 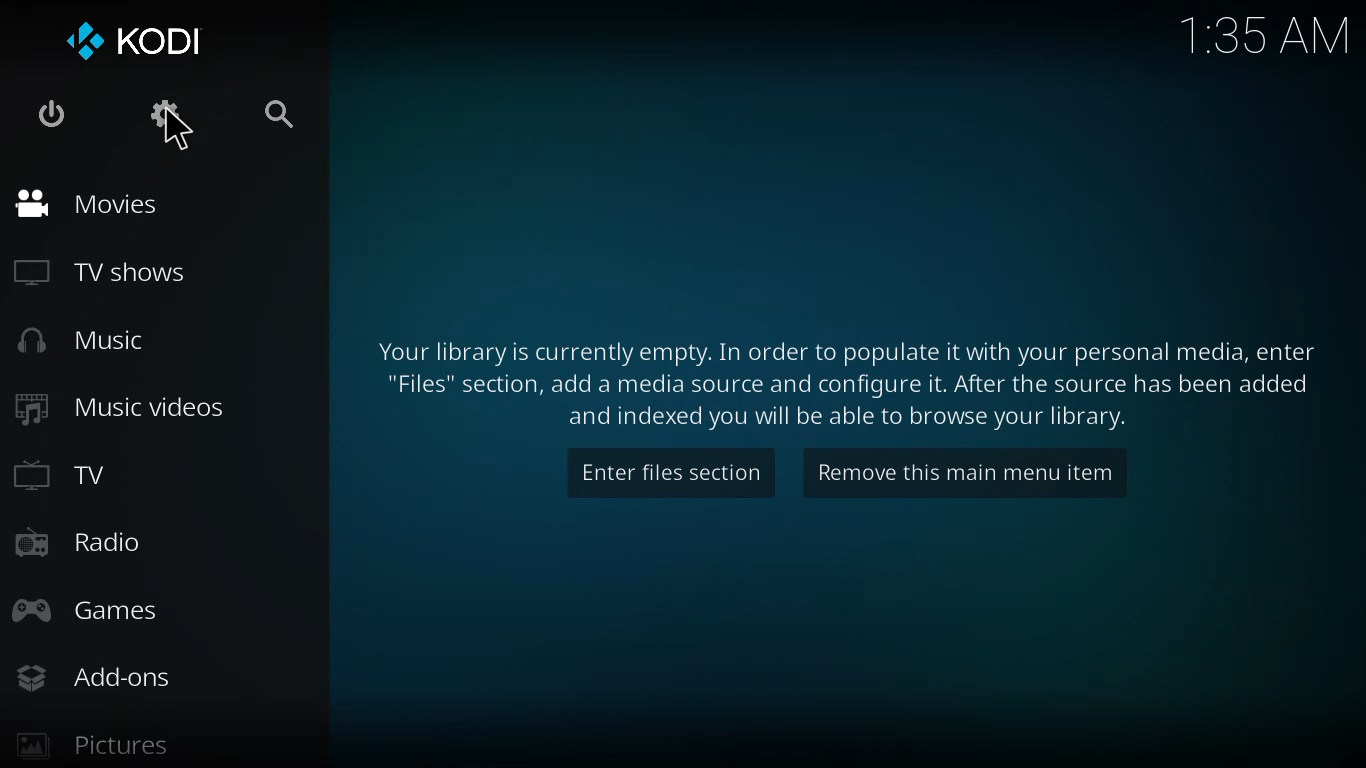 What do you see at coordinates (48, 114) in the screenshot?
I see `power` at bounding box center [48, 114].